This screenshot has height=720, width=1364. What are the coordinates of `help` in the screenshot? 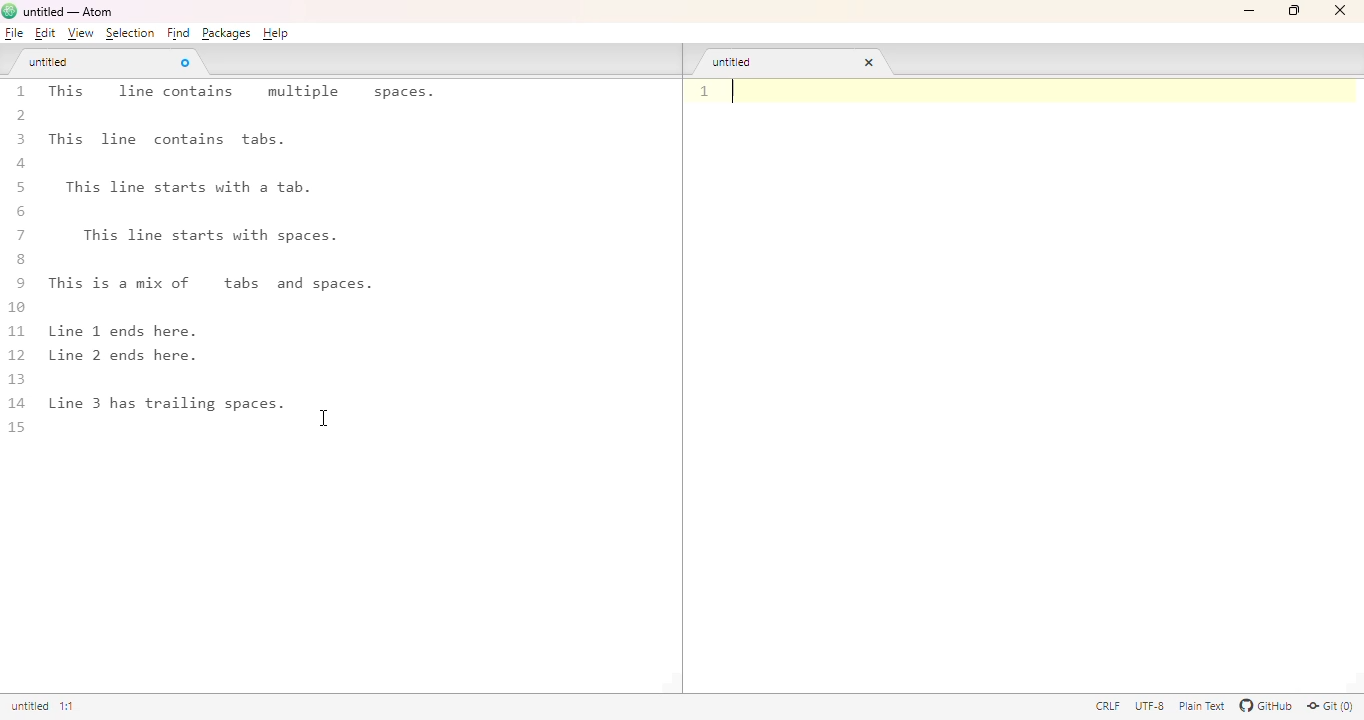 It's located at (277, 33).